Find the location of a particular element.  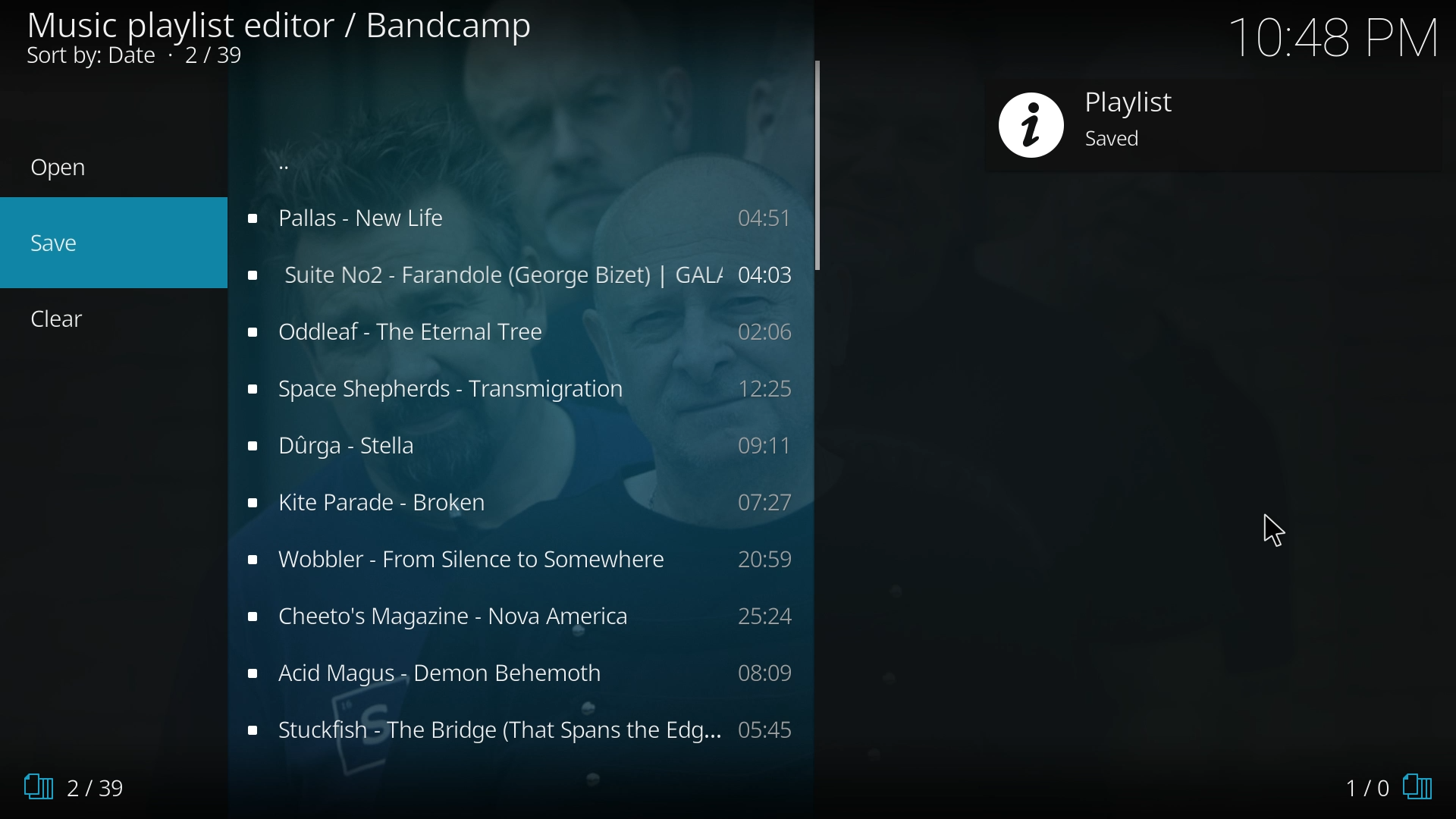

song is located at coordinates (525, 620).